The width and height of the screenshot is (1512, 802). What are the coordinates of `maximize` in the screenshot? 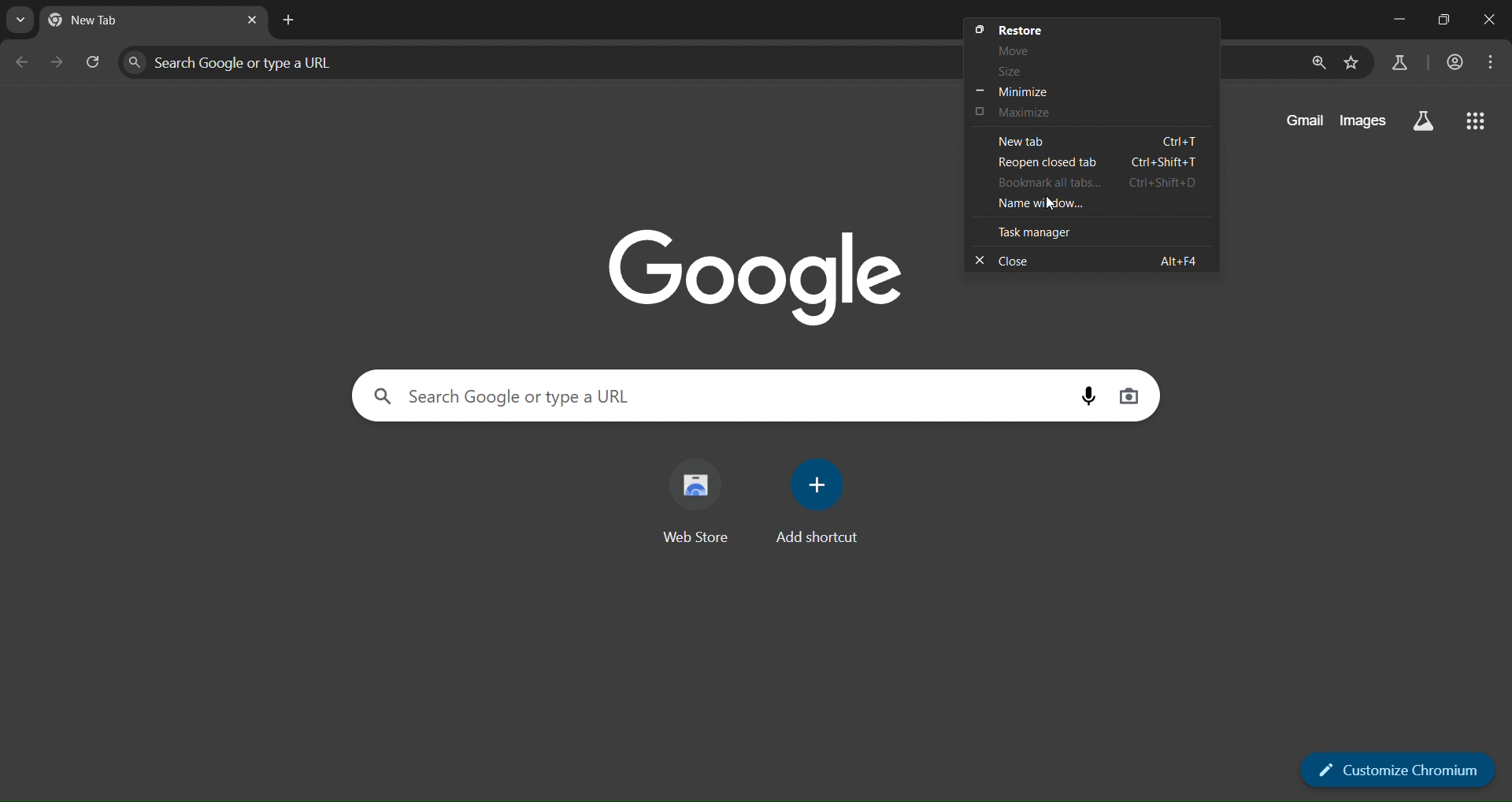 It's located at (1022, 112).